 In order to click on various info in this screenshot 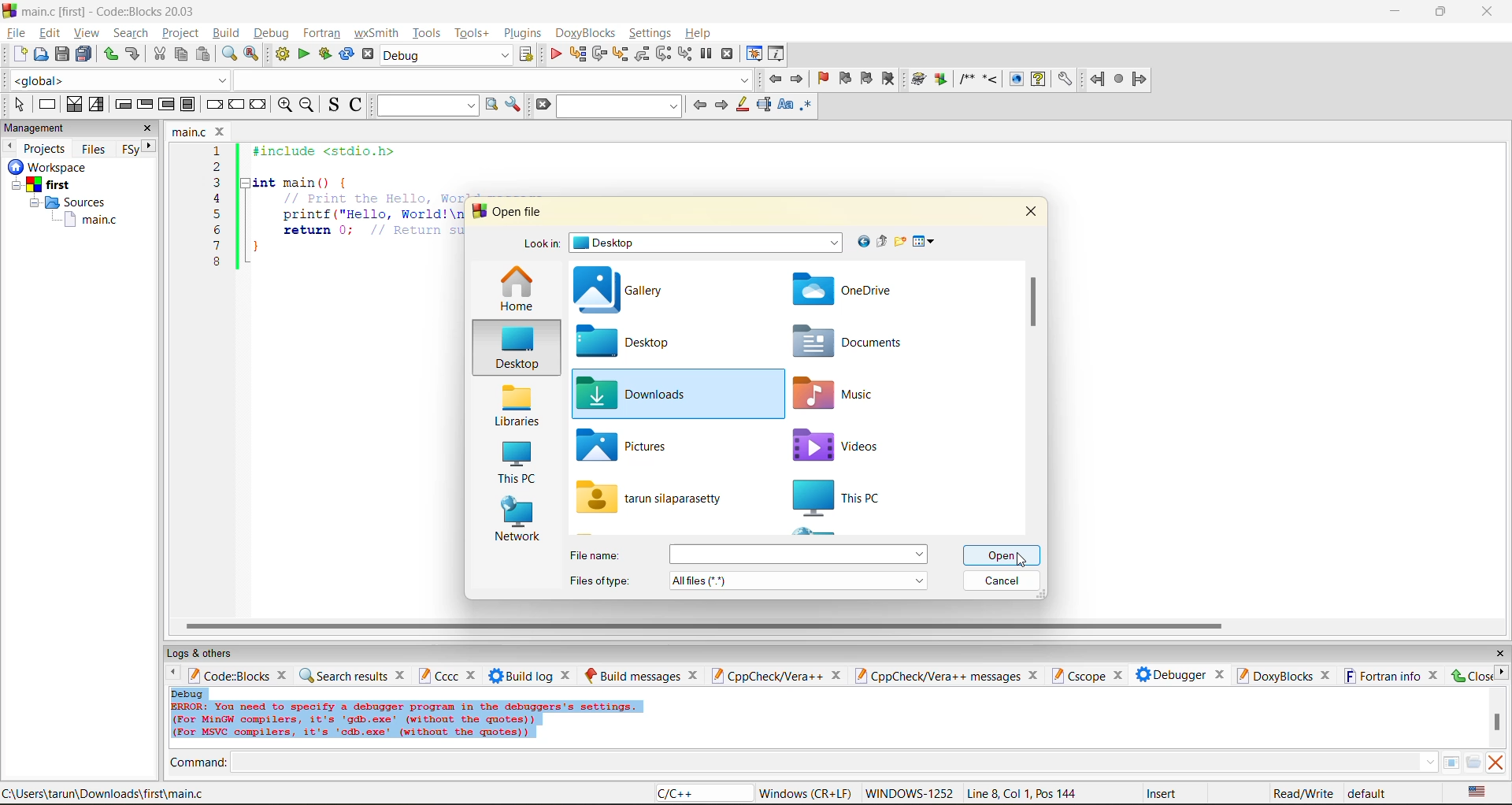, I will do `click(777, 54)`.